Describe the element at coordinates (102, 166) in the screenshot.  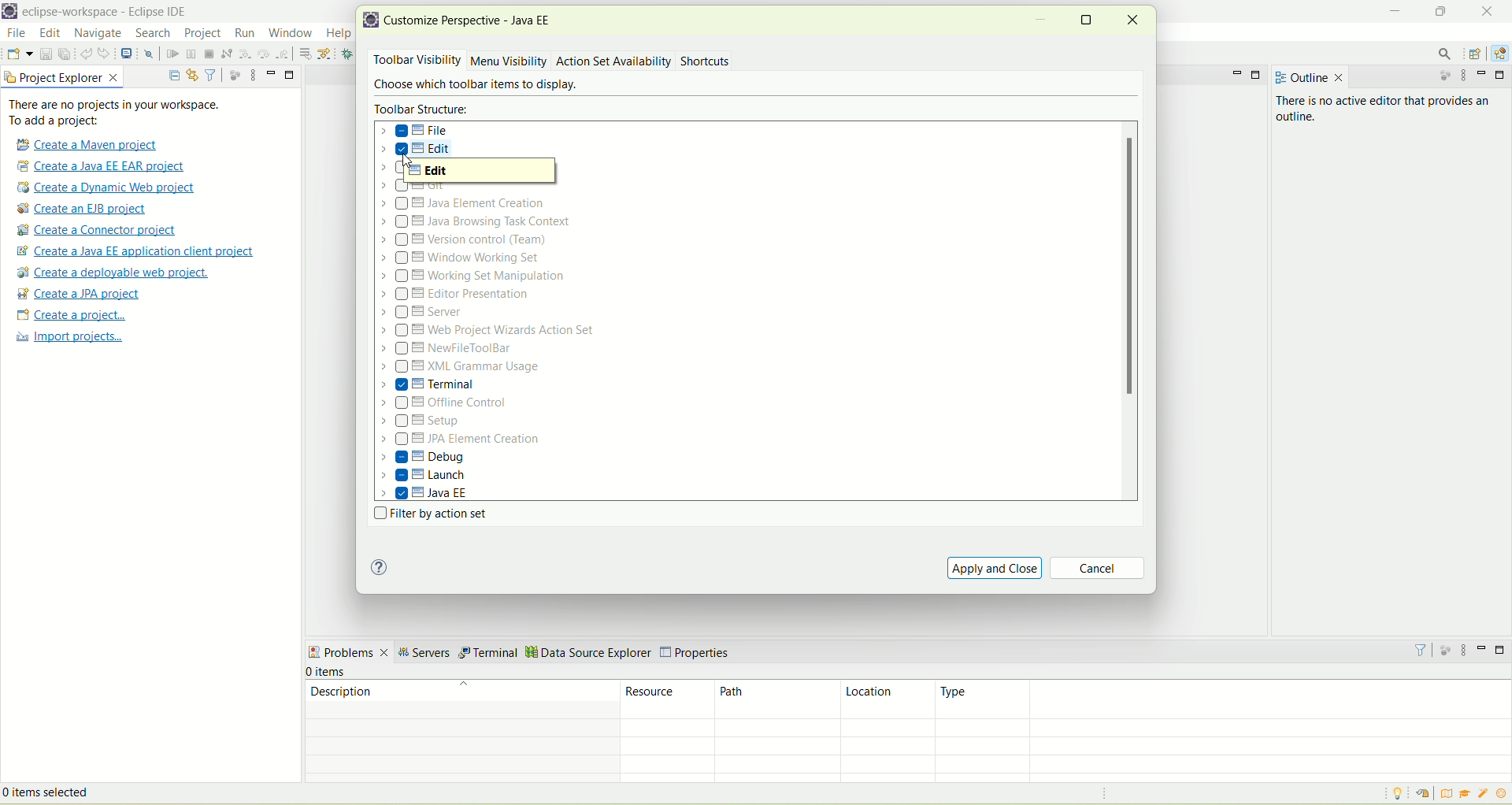
I see `create a Java EE EAR project` at that location.